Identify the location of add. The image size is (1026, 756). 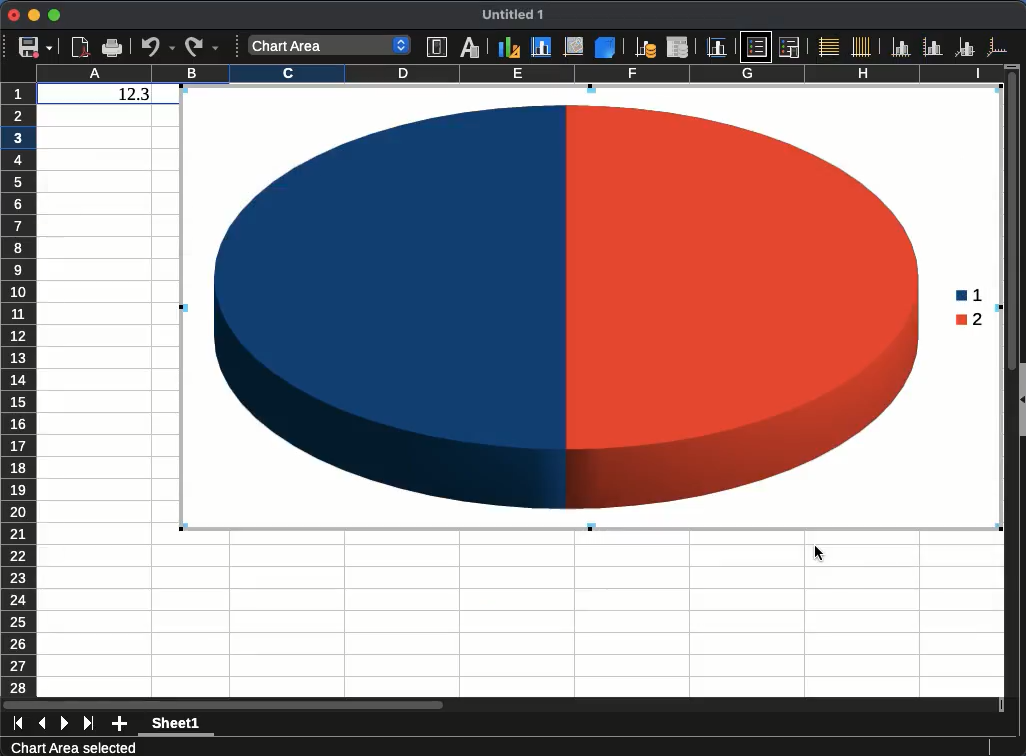
(120, 724).